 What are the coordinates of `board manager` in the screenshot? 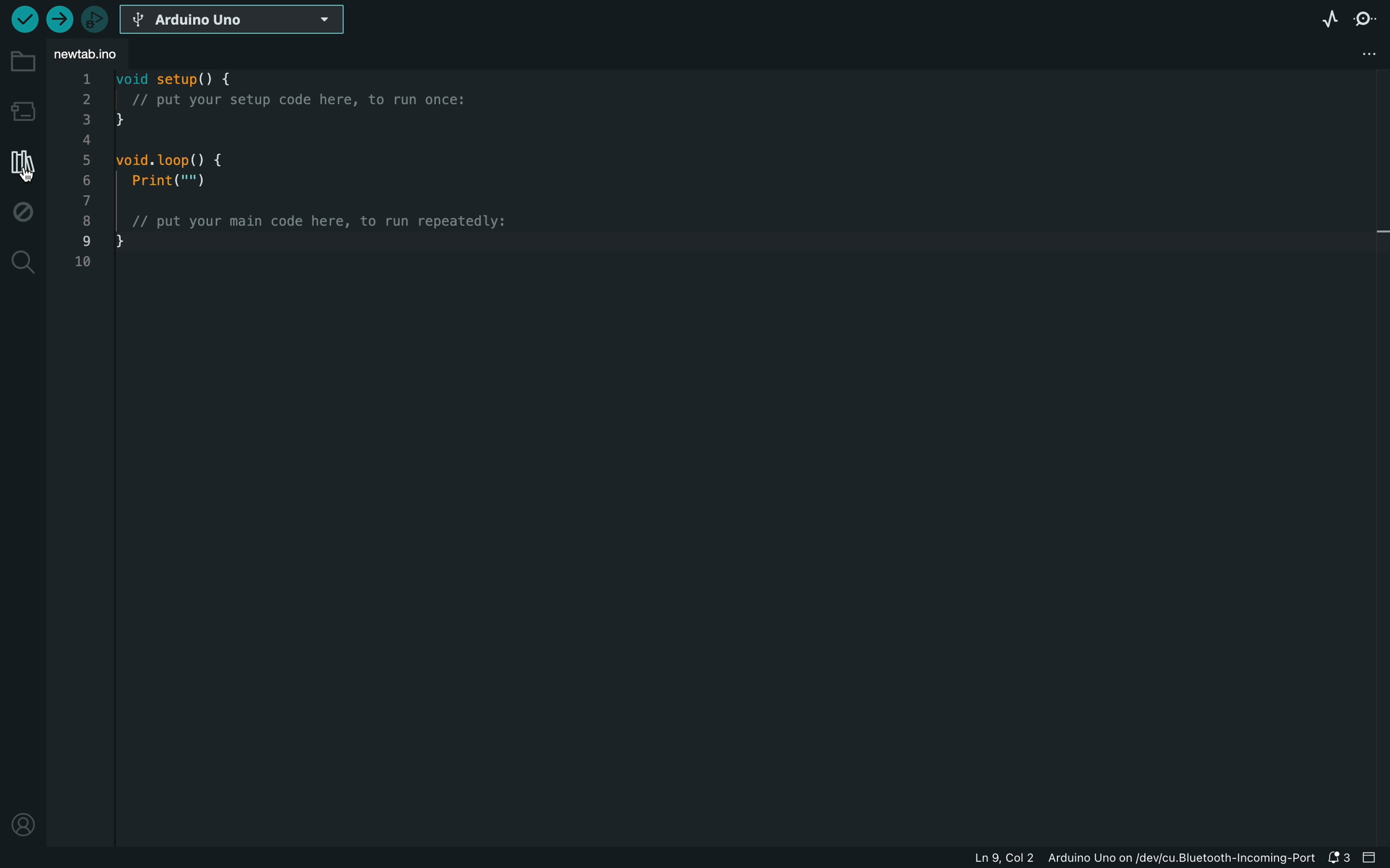 It's located at (21, 110).